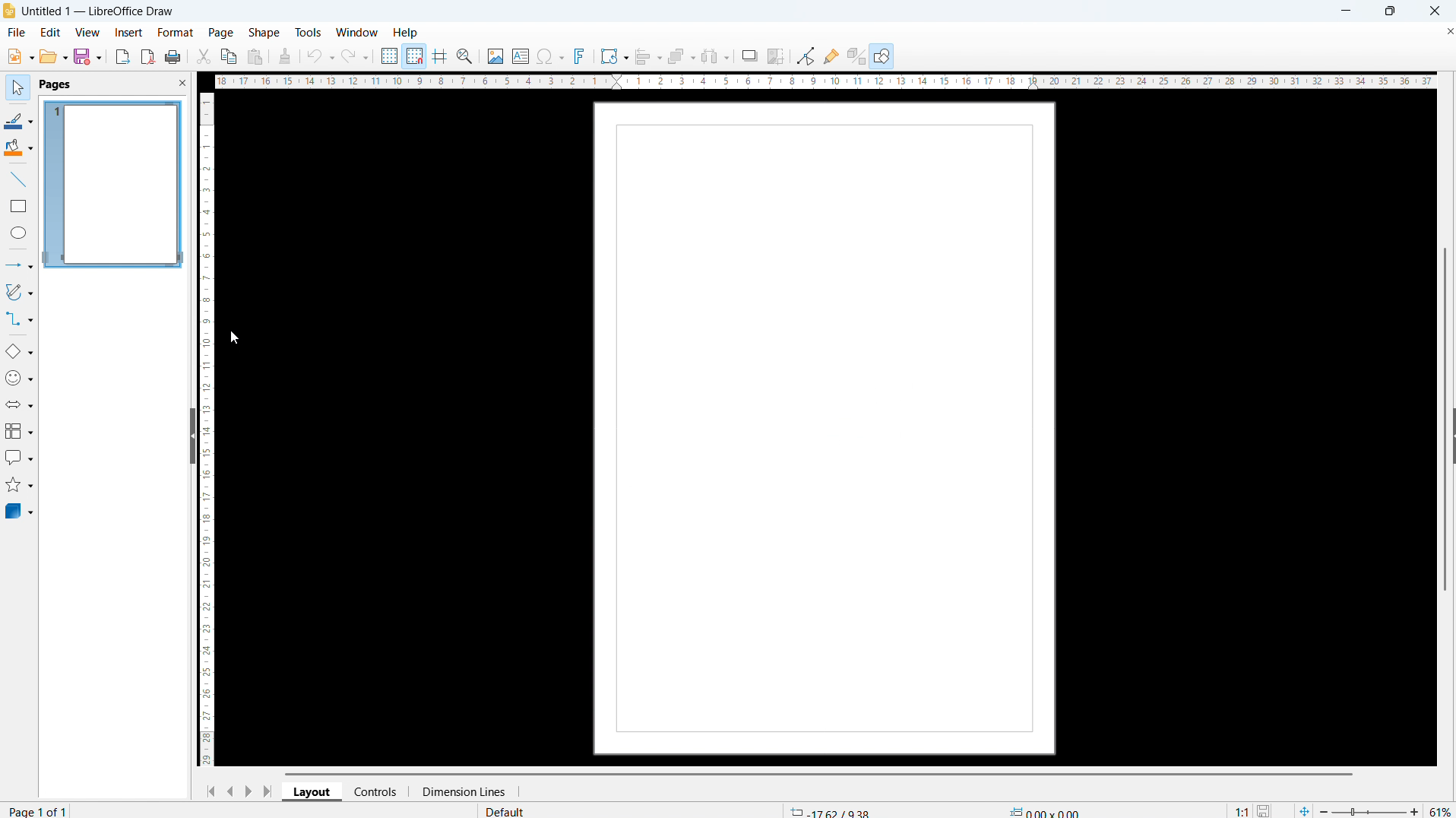 The height and width of the screenshot is (818, 1456). What do you see at coordinates (1441, 809) in the screenshot?
I see `zoom level` at bounding box center [1441, 809].